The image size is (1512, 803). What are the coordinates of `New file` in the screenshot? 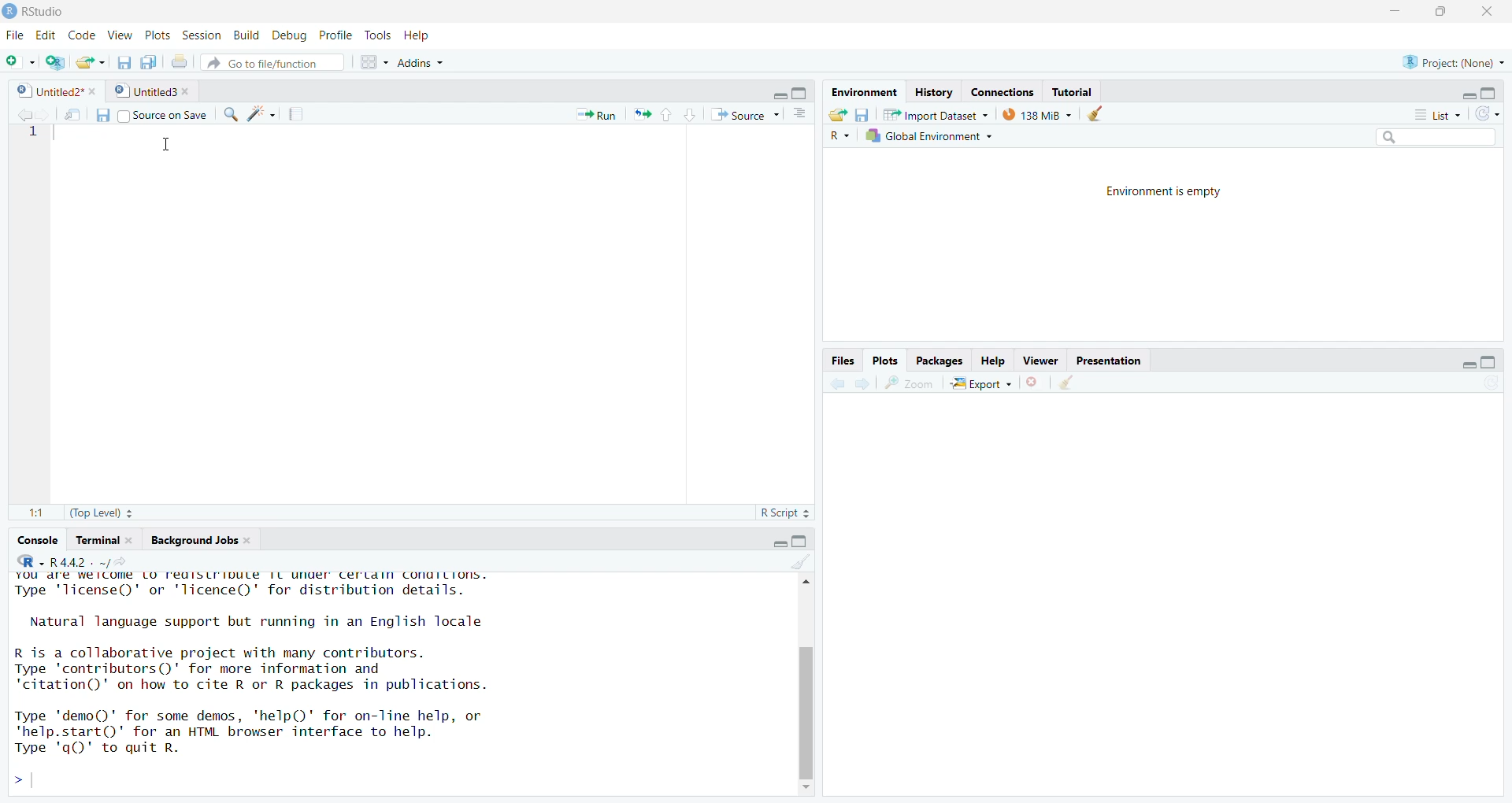 It's located at (92, 60).